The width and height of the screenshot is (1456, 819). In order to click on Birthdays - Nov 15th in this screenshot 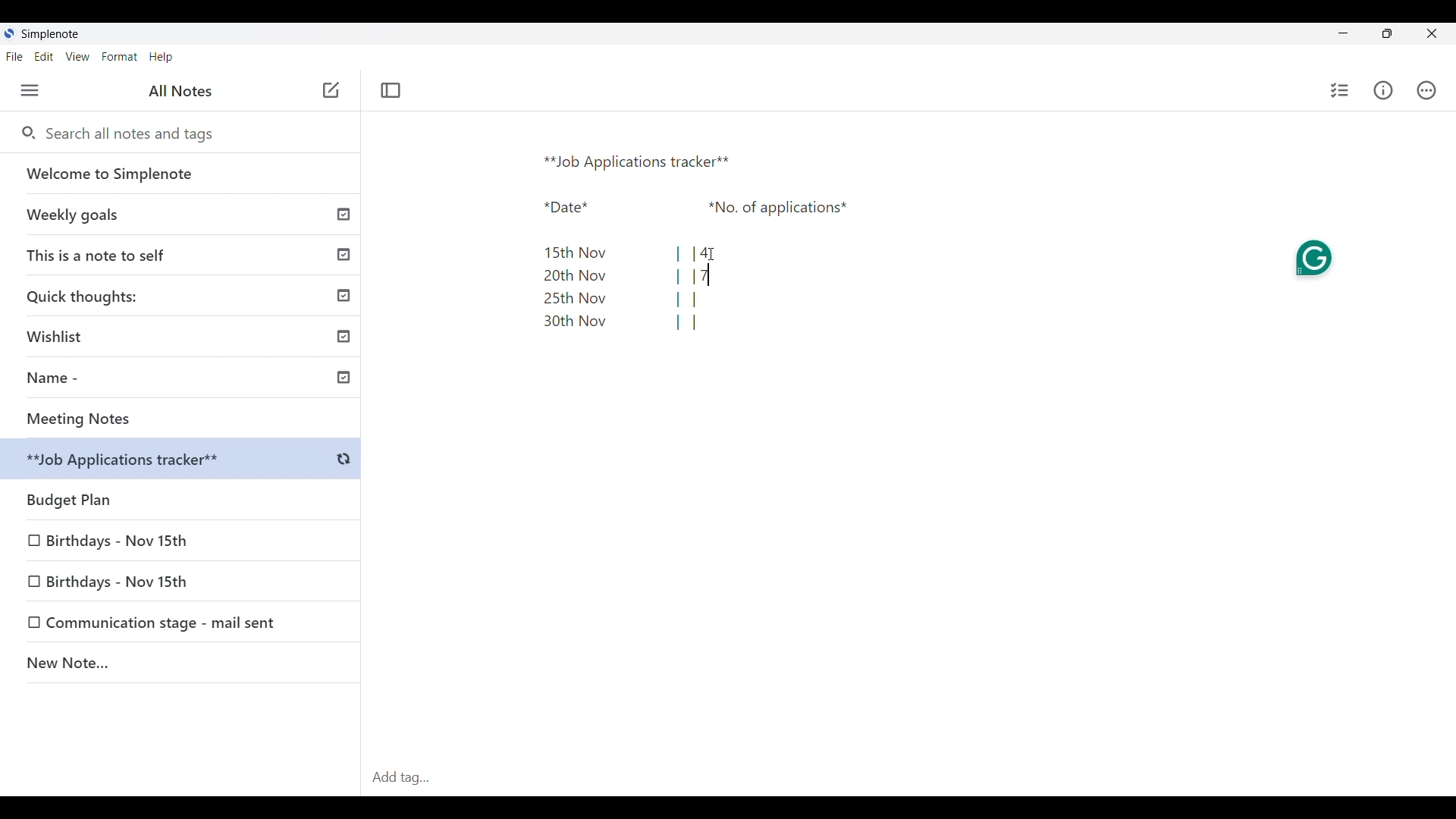, I will do `click(146, 579)`.